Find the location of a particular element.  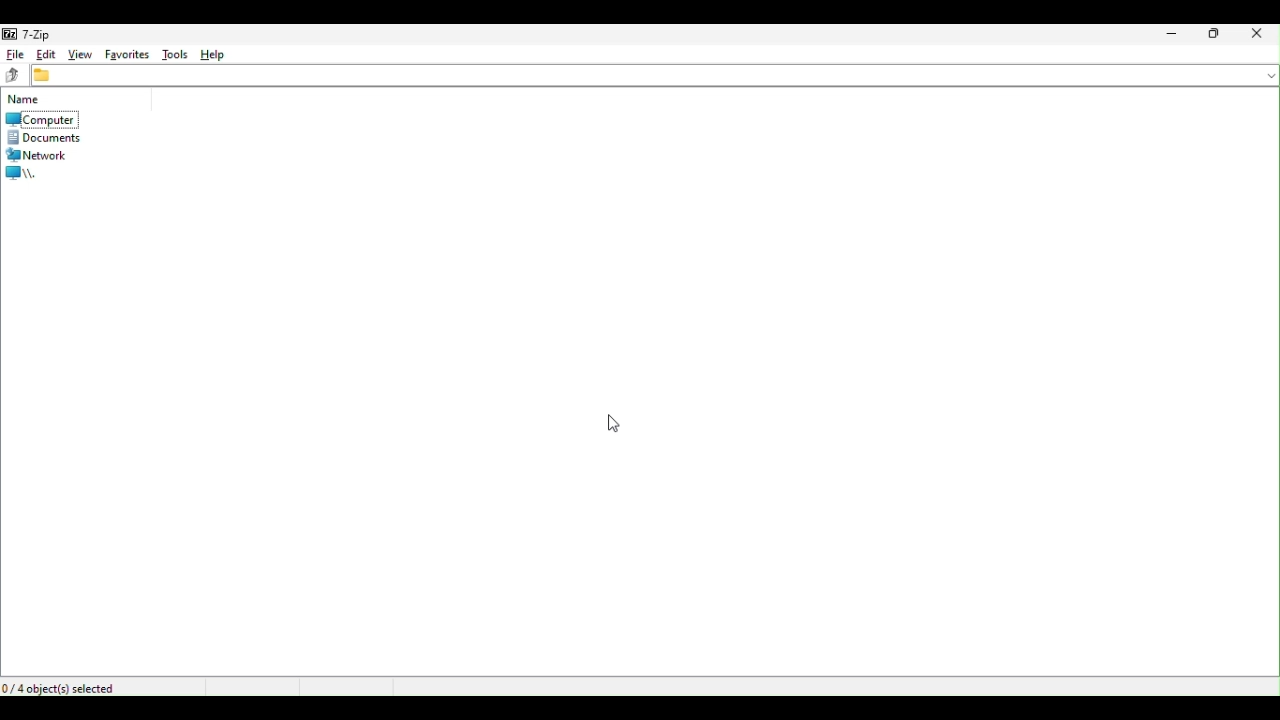

Favourites is located at coordinates (125, 54).